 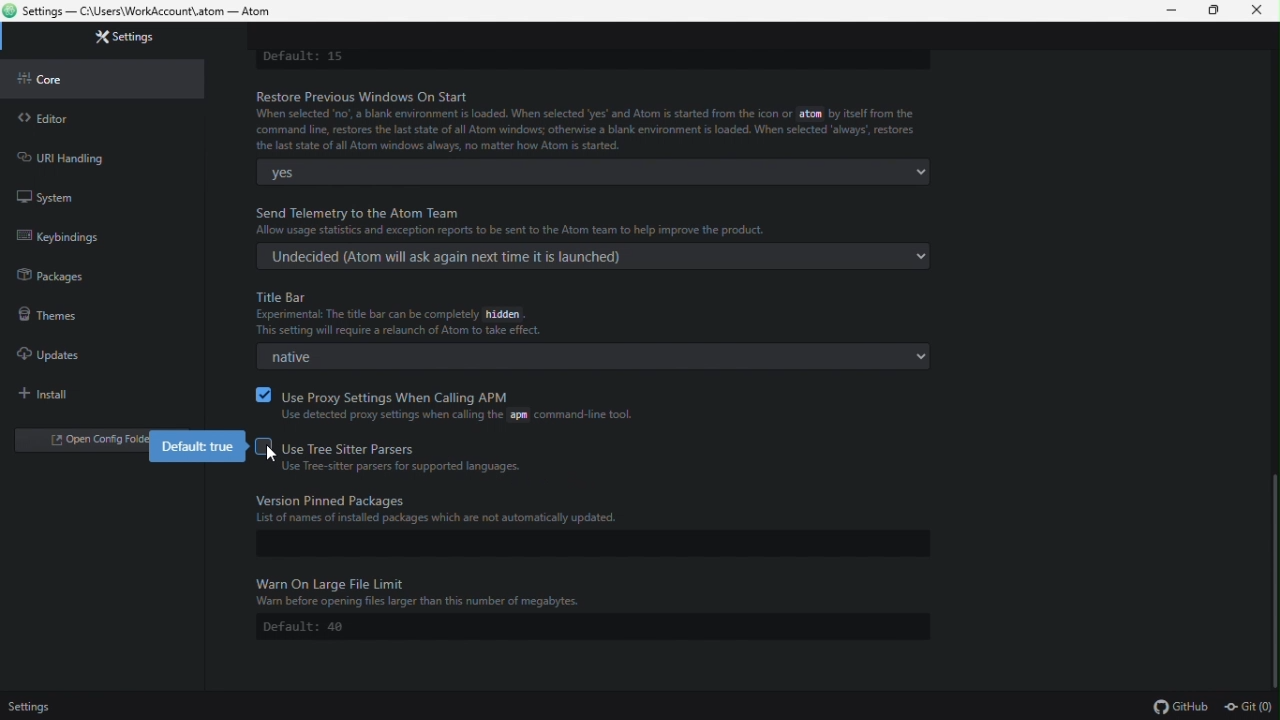 What do you see at coordinates (593, 627) in the screenshot?
I see `default` at bounding box center [593, 627].